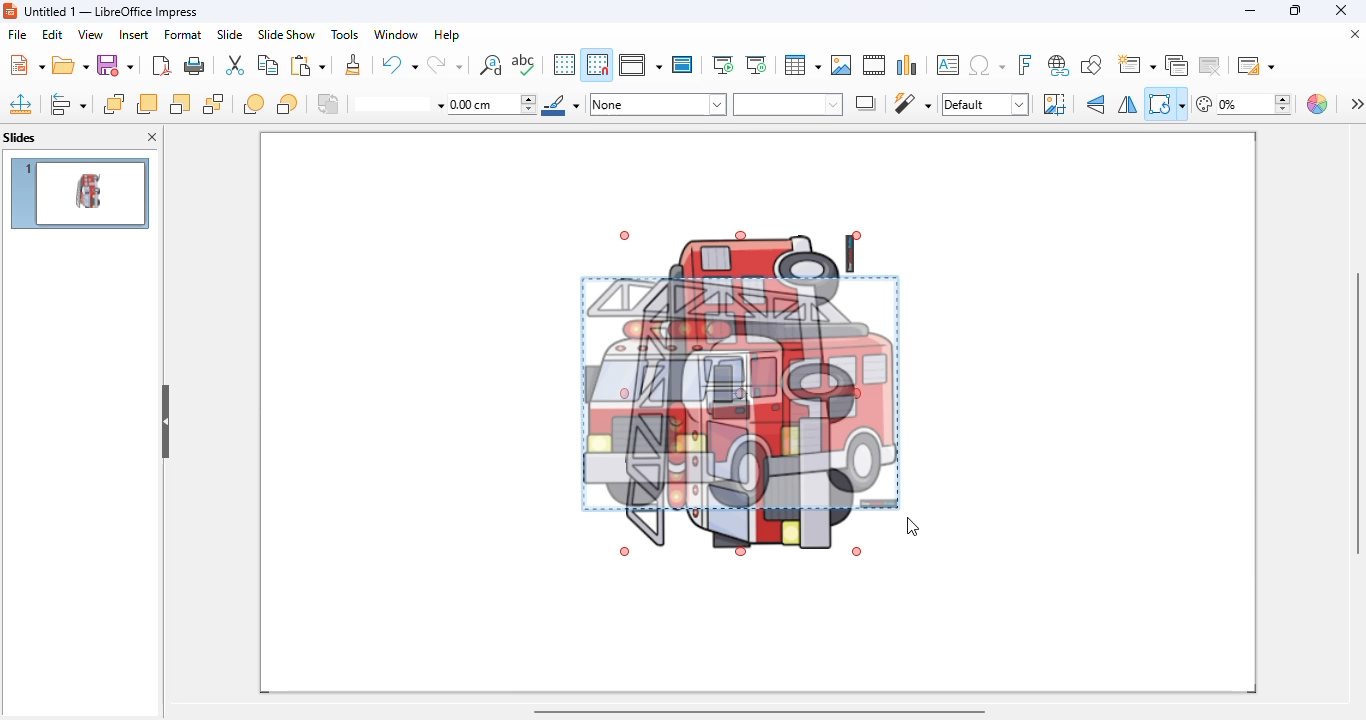 This screenshot has height=720, width=1366. Describe the element at coordinates (183, 34) in the screenshot. I see `format` at that location.